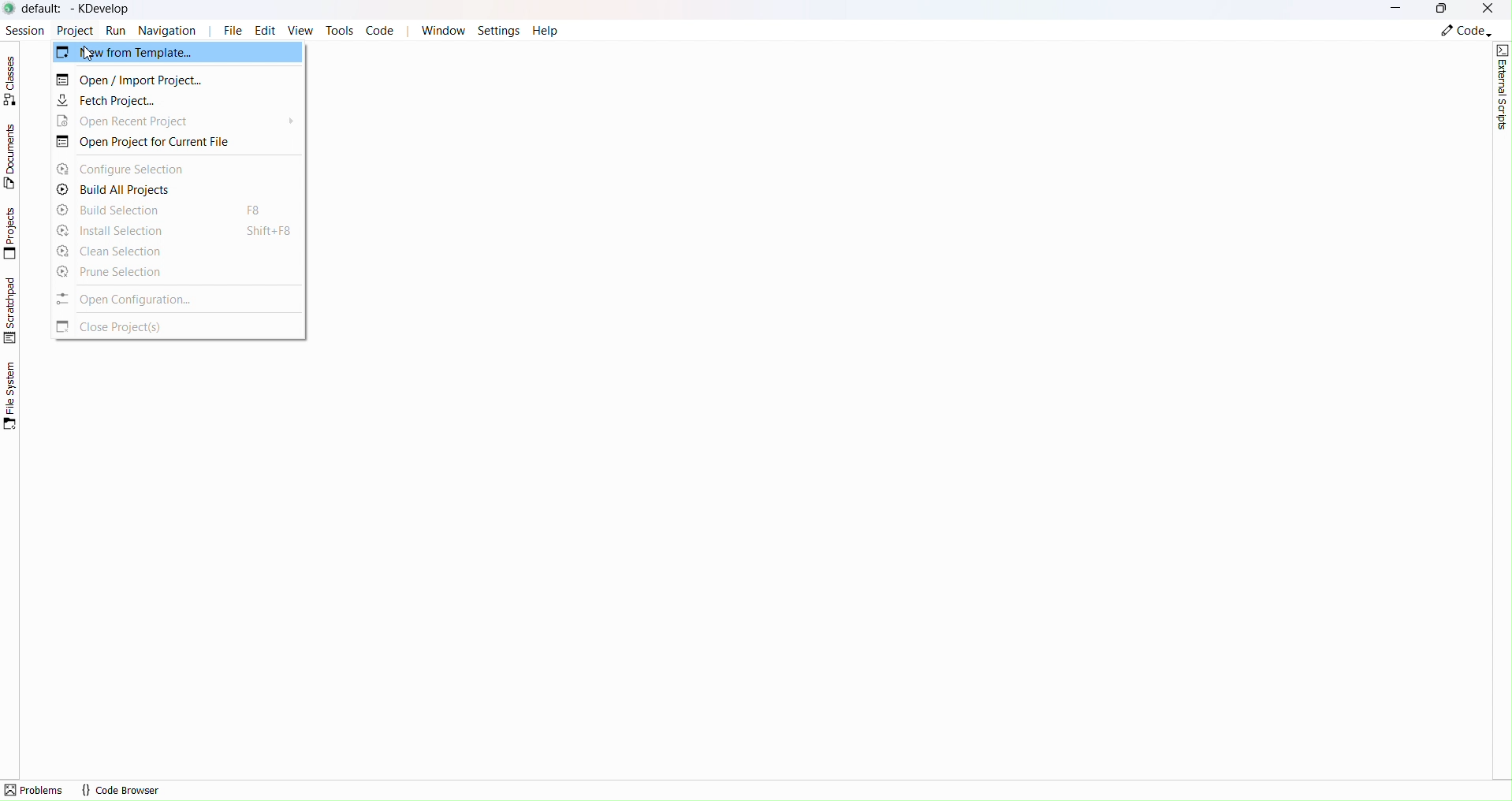  I want to click on Navigation, so click(172, 30).